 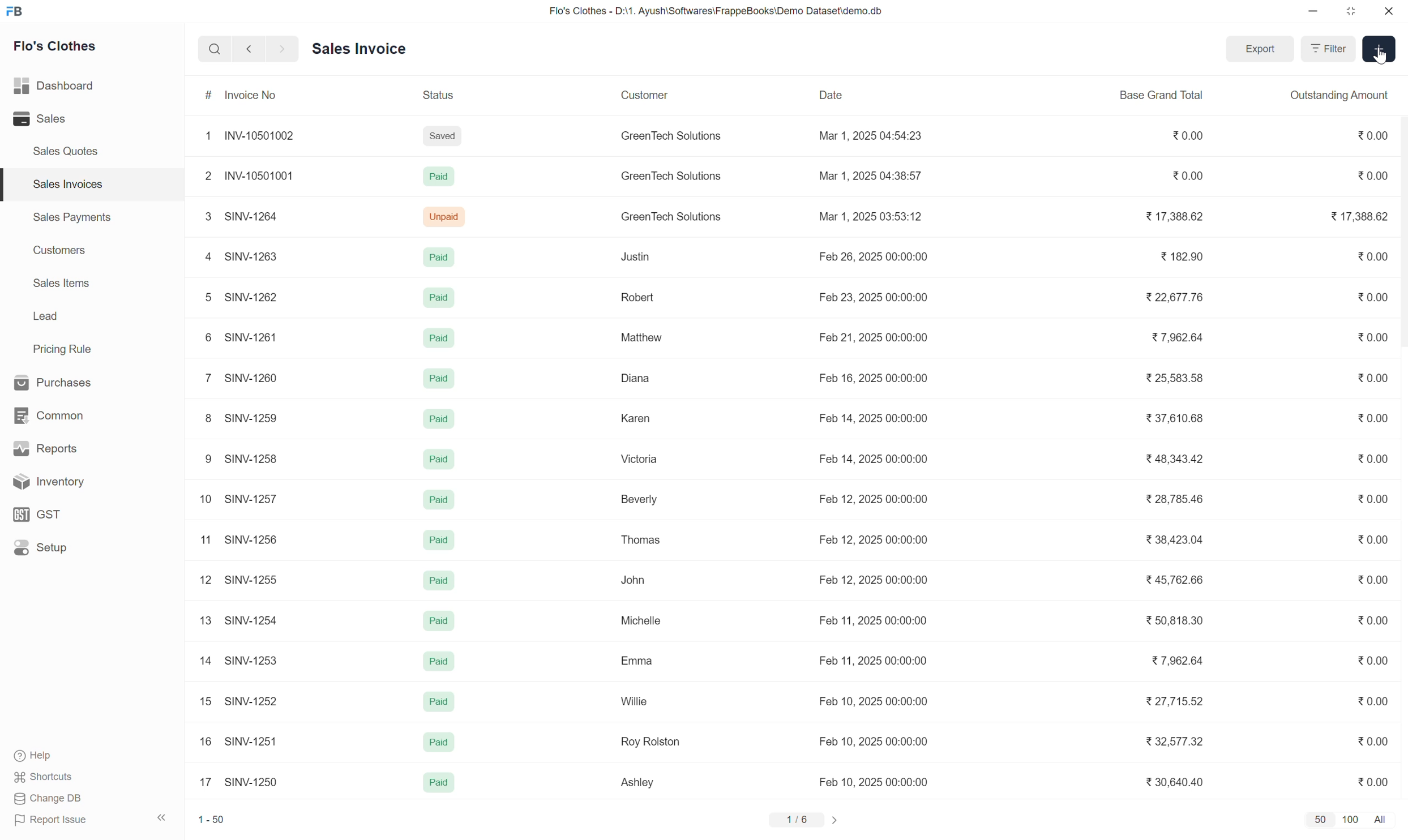 What do you see at coordinates (74, 86) in the screenshot?
I see `Dashboard ` at bounding box center [74, 86].